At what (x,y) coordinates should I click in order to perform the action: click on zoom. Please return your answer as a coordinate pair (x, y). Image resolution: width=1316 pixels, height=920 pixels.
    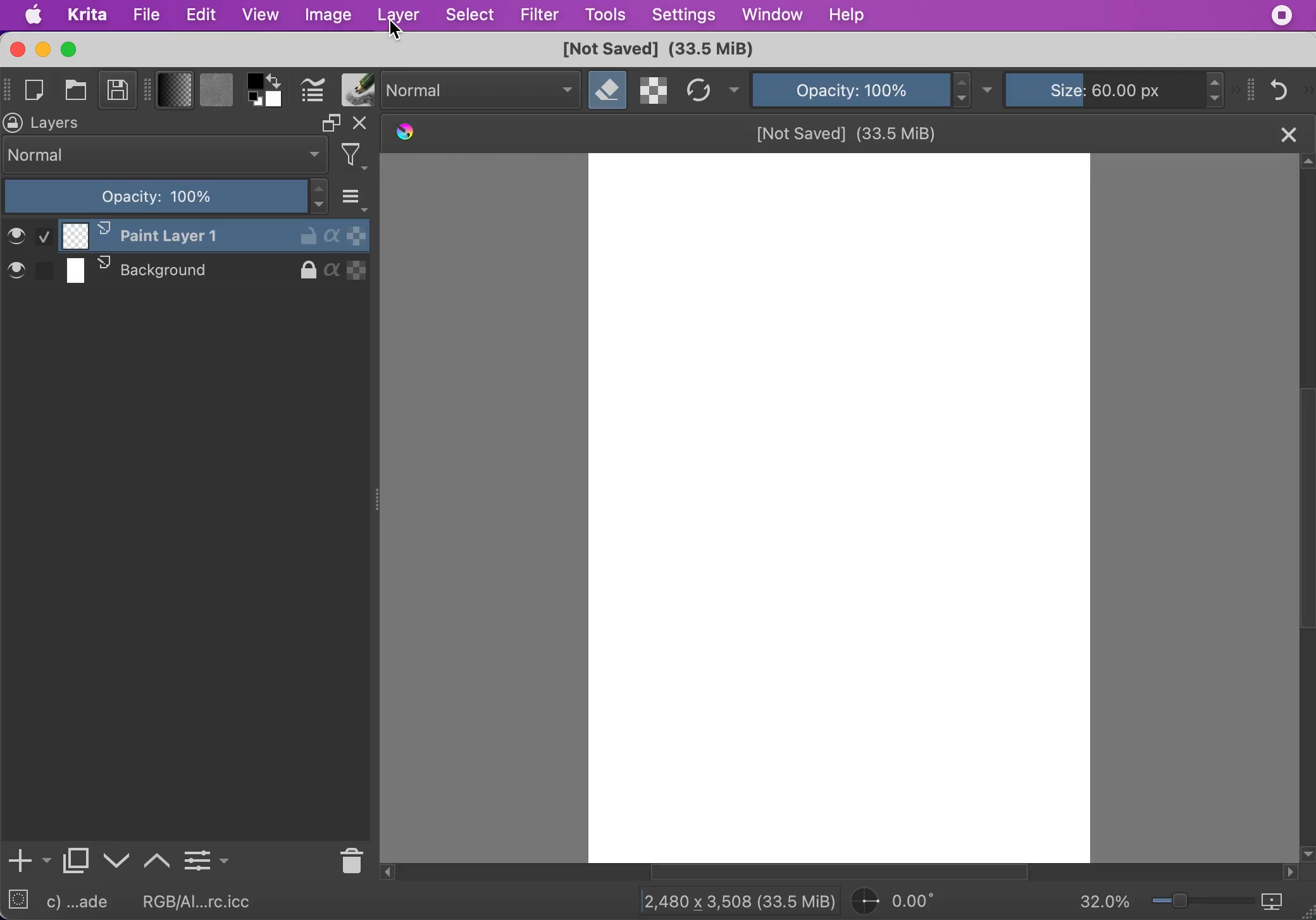
    Looking at the image, I should click on (1203, 904).